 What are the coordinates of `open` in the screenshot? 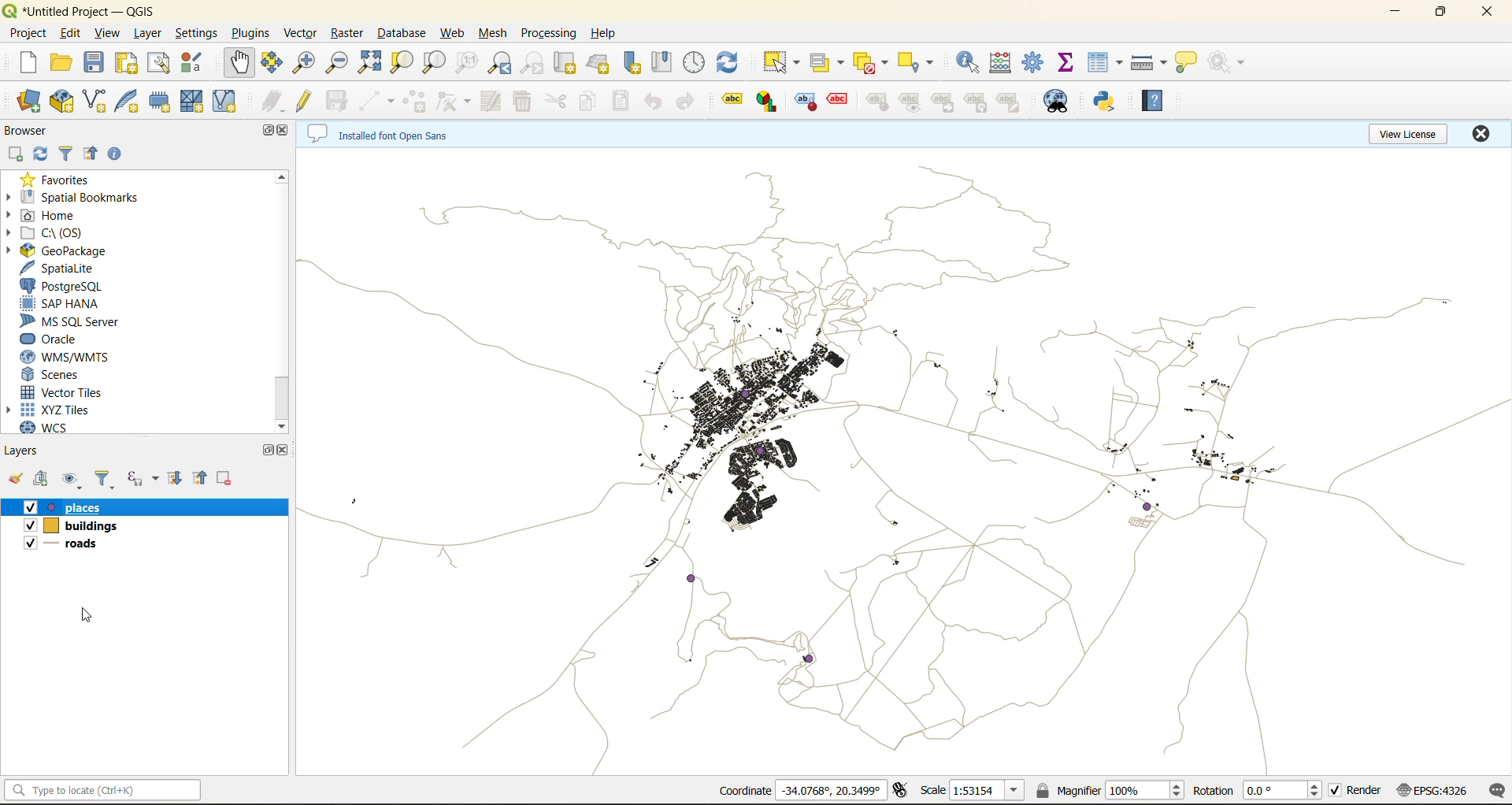 It's located at (15, 479).